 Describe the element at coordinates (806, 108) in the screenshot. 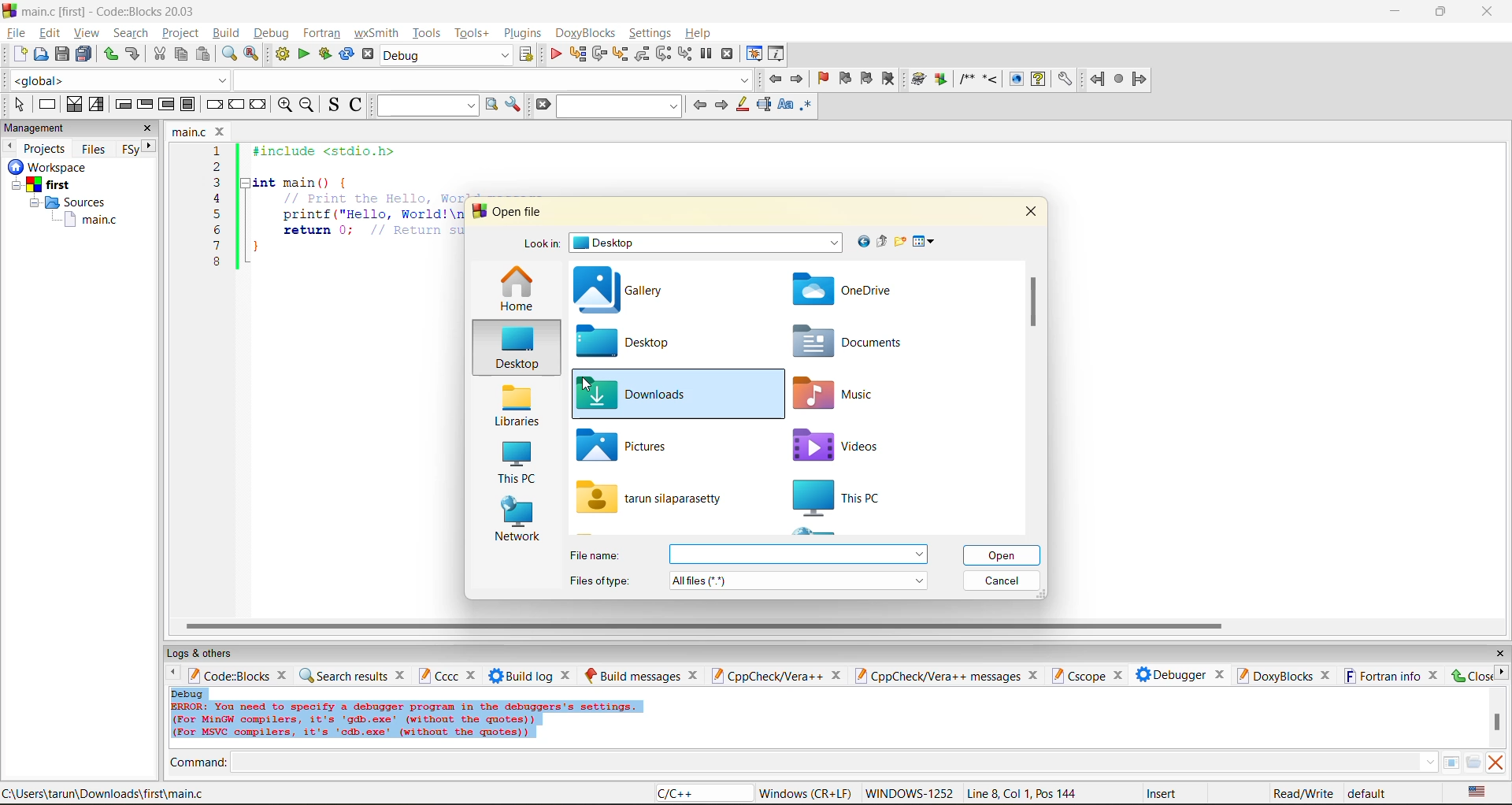

I see `use regex` at that location.